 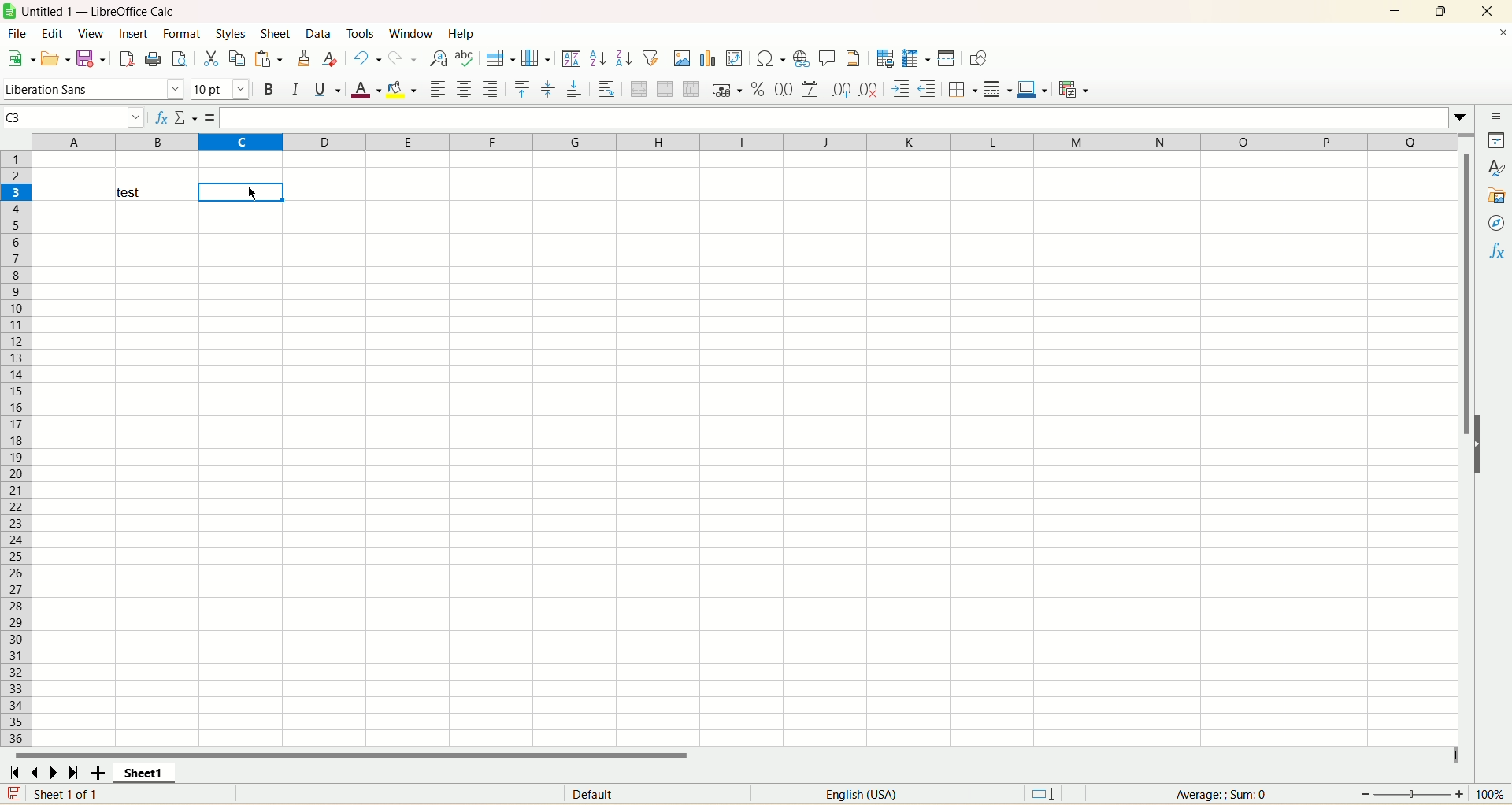 What do you see at coordinates (9, 11) in the screenshot?
I see `Software logo` at bounding box center [9, 11].